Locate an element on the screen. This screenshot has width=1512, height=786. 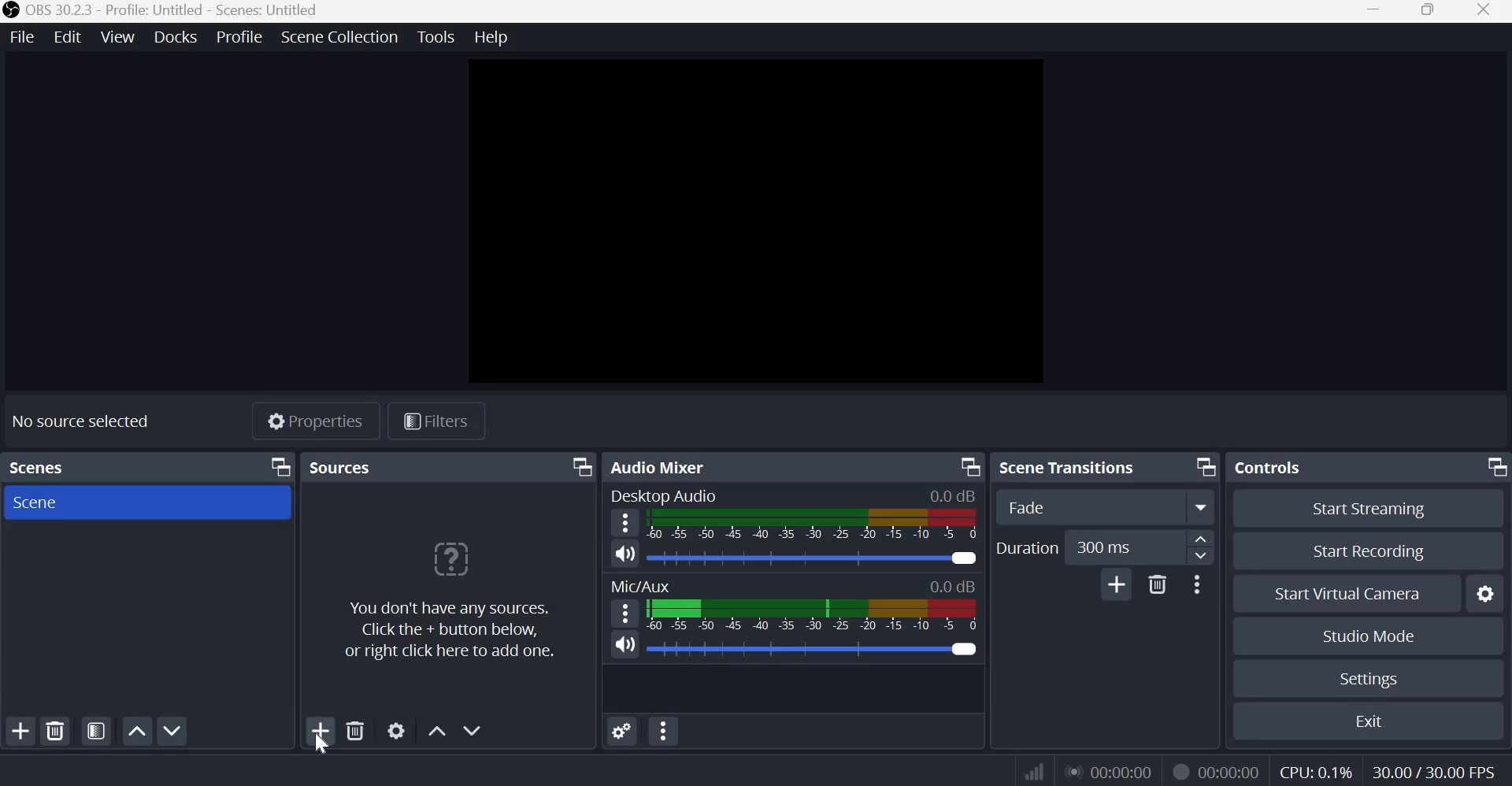
Add source(s) is located at coordinates (322, 730).